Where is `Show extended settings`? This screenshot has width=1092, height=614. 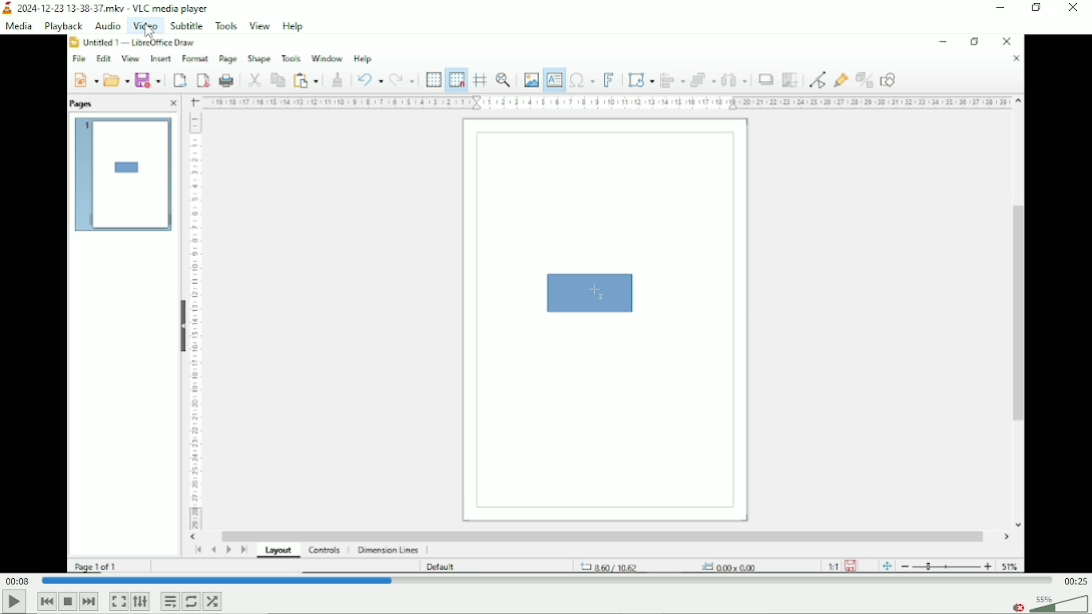 Show extended settings is located at coordinates (139, 601).